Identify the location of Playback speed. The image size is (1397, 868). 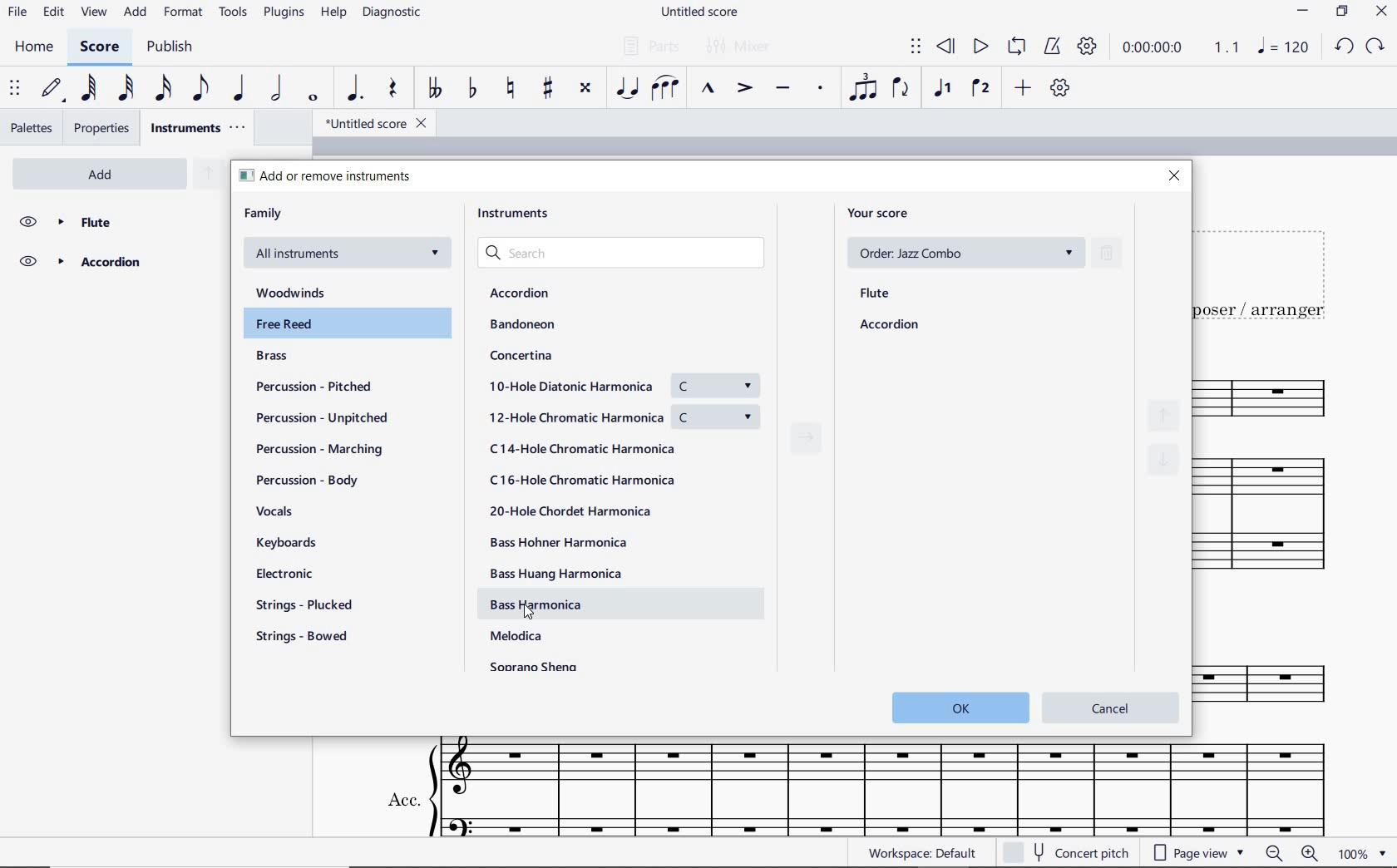
(1228, 47).